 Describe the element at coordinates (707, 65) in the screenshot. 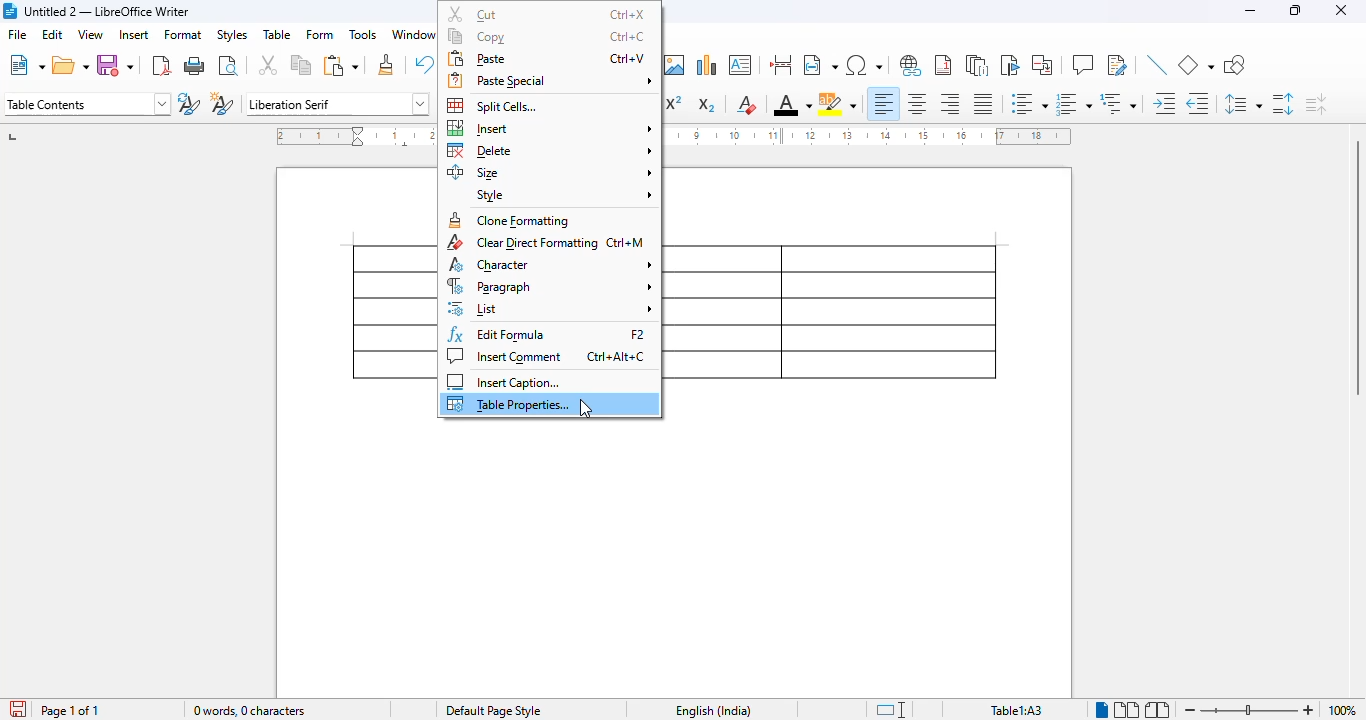

I see `insert chart` at that location.